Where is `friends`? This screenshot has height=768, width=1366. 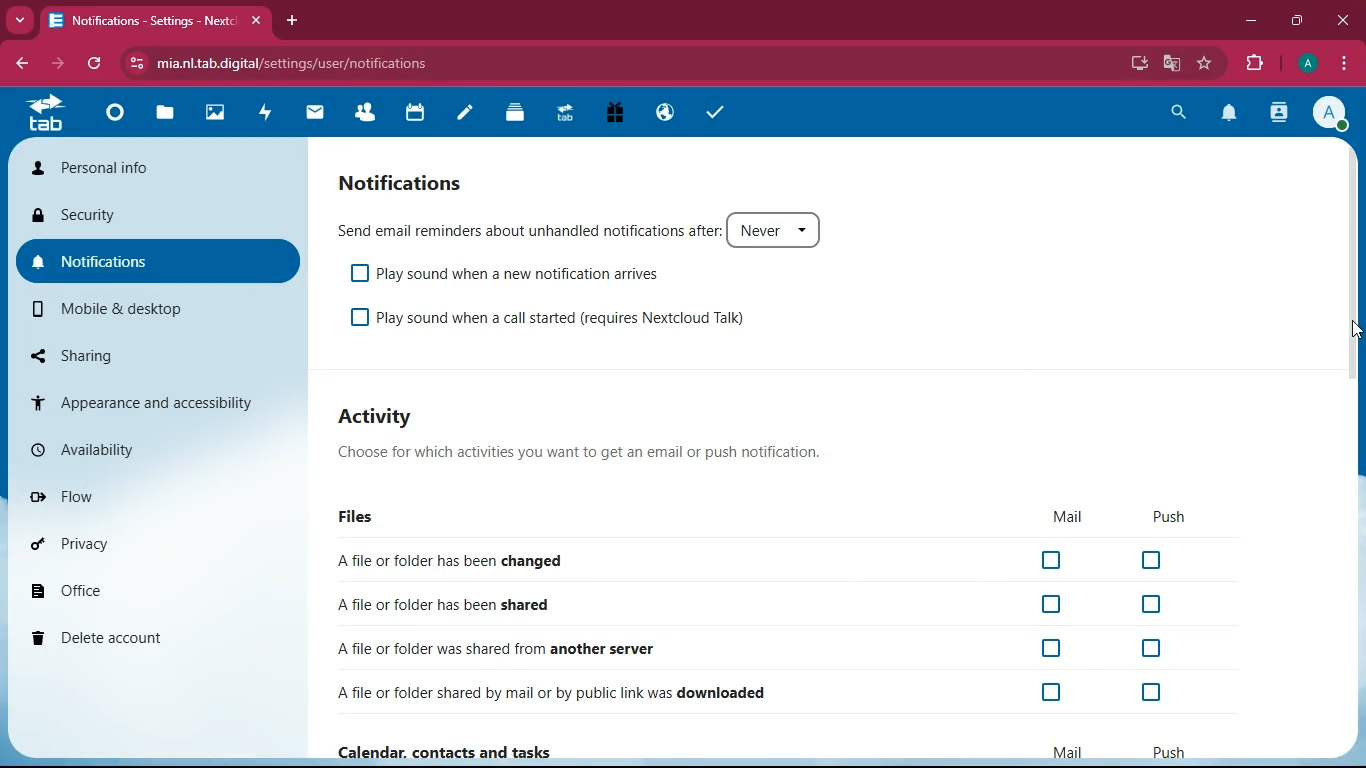 friends is located at coordinates (370, 112).